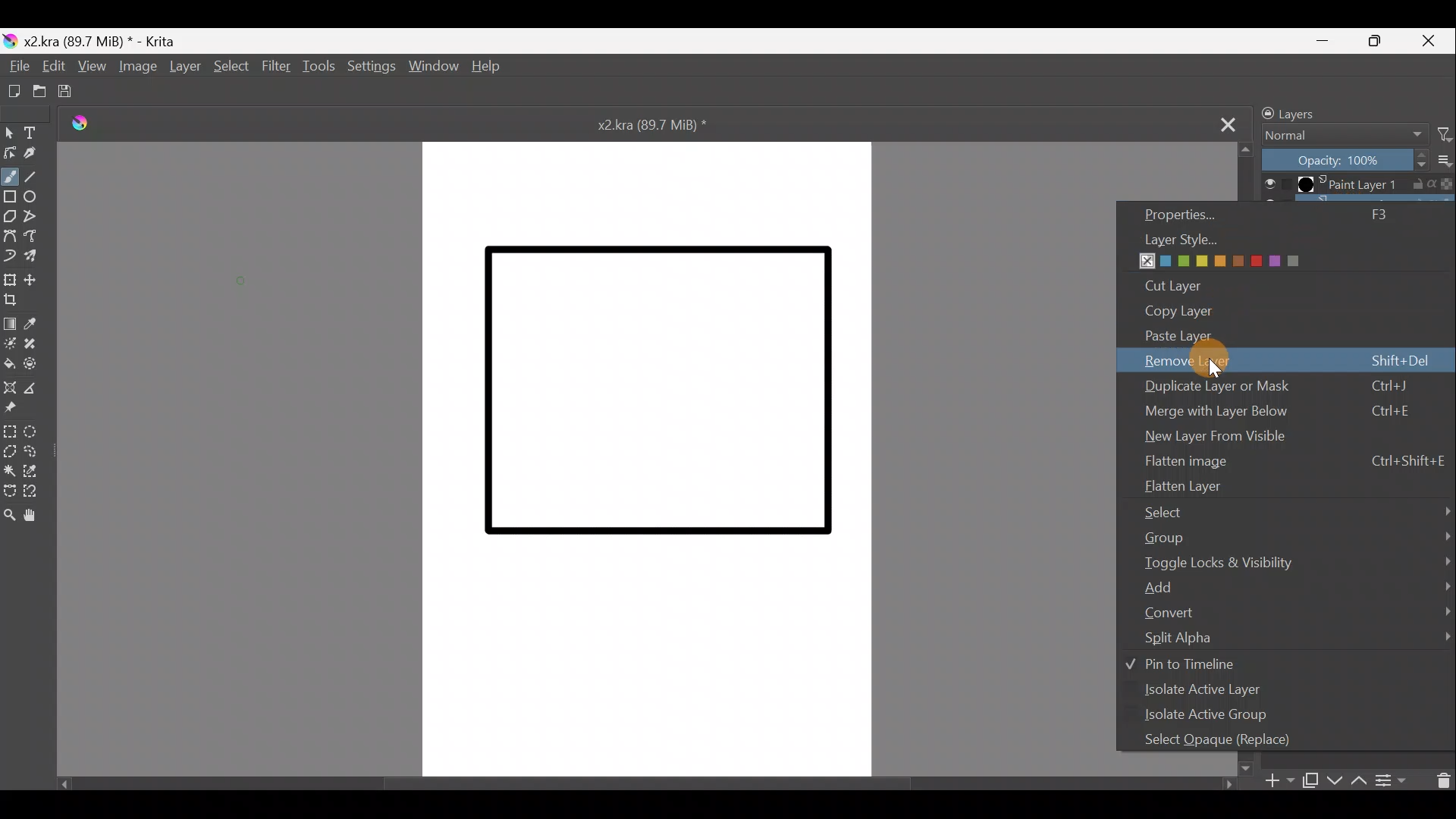 Image resolution: width=1456 pixels, height=819 pixels. What do you see at coordinates (38, 91) in the screenshot?
I see `Open an existing document` at bounding box center [38, 91].